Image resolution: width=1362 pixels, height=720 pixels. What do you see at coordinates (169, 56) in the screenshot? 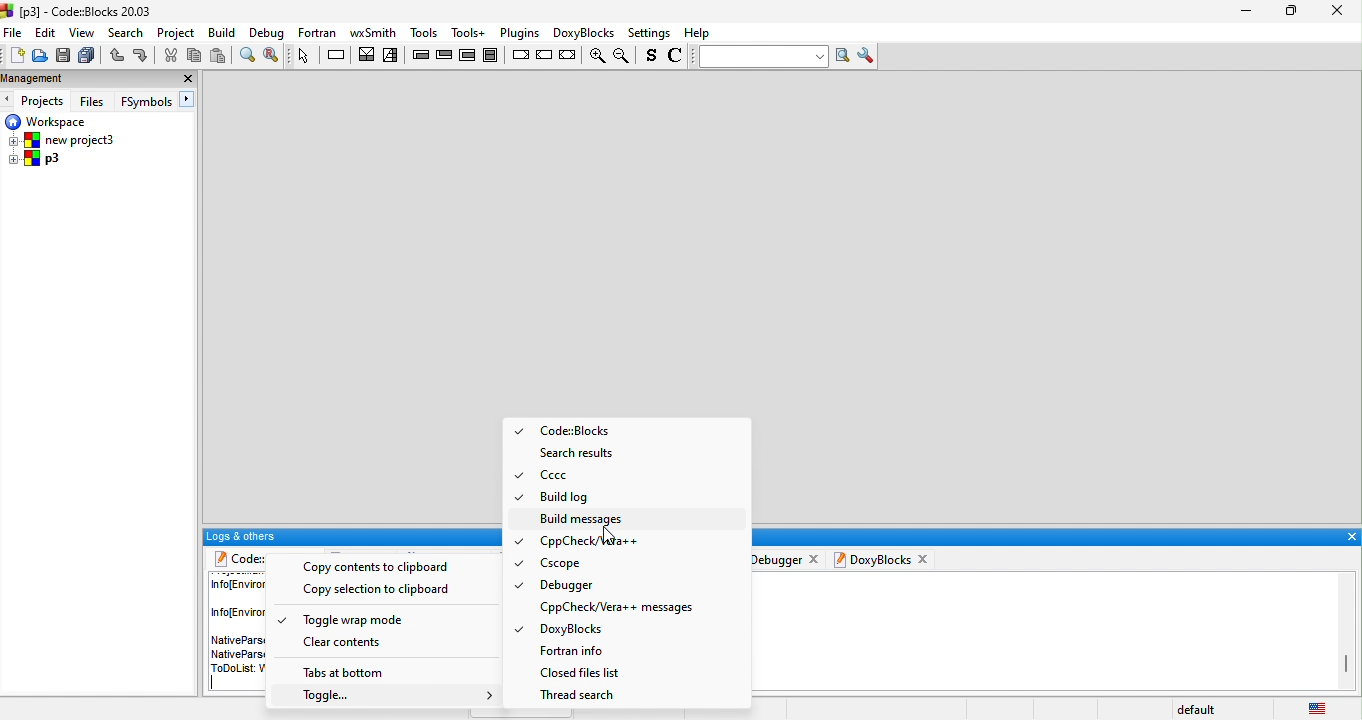
I see `cut` at bounding box center [169, 56].